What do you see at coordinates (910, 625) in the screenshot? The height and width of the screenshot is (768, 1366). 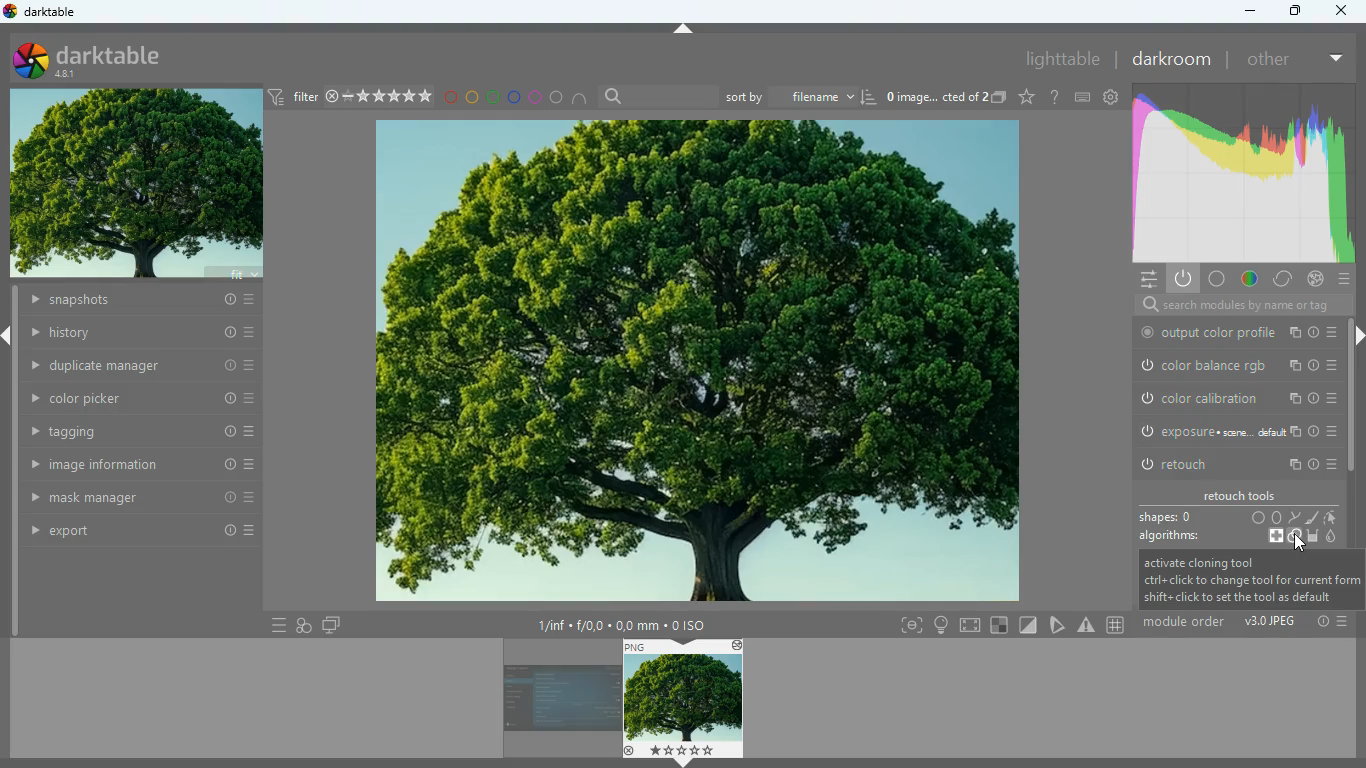 I see `frame` at bounding box center [910, 625].